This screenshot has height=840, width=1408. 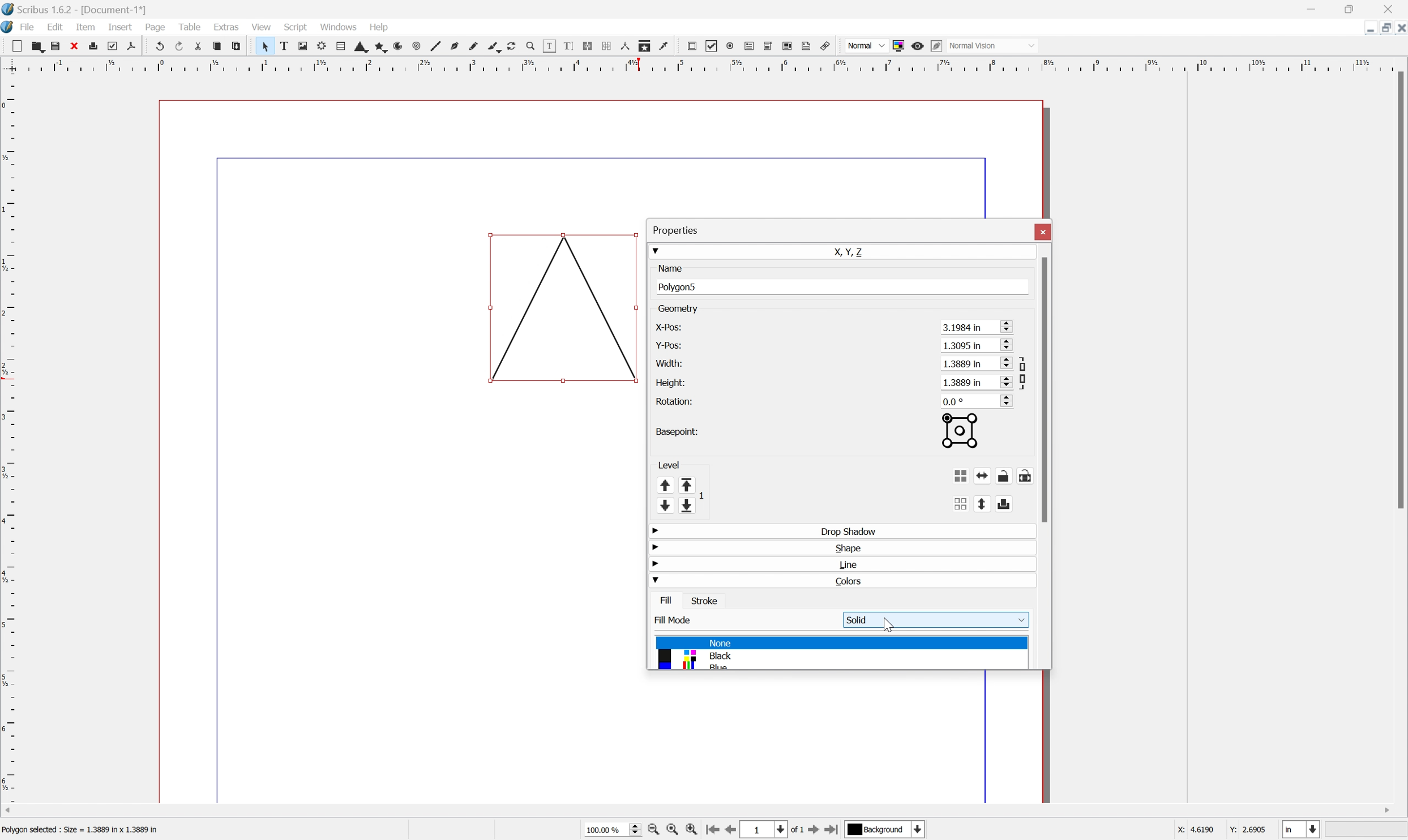 I want to click on Extras, so click(x=226, y=26).